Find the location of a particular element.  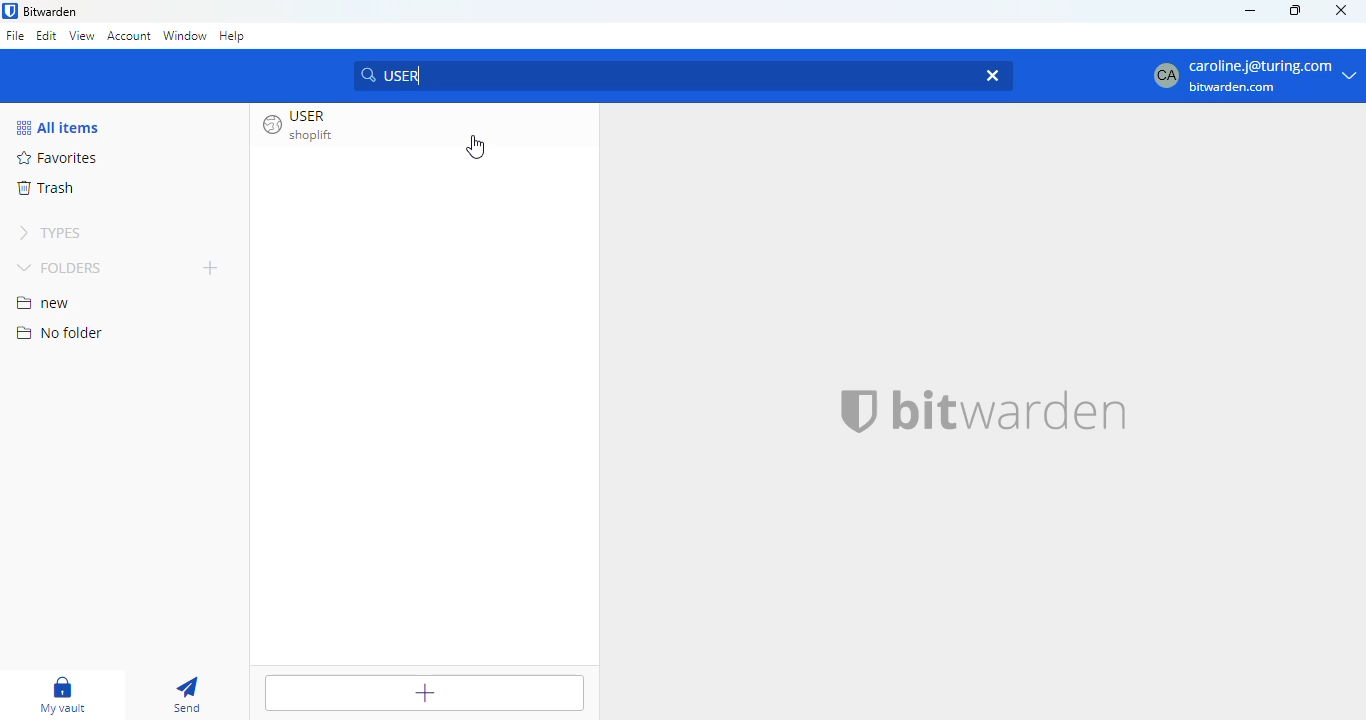

add folder is located at coordinates (210, 267).